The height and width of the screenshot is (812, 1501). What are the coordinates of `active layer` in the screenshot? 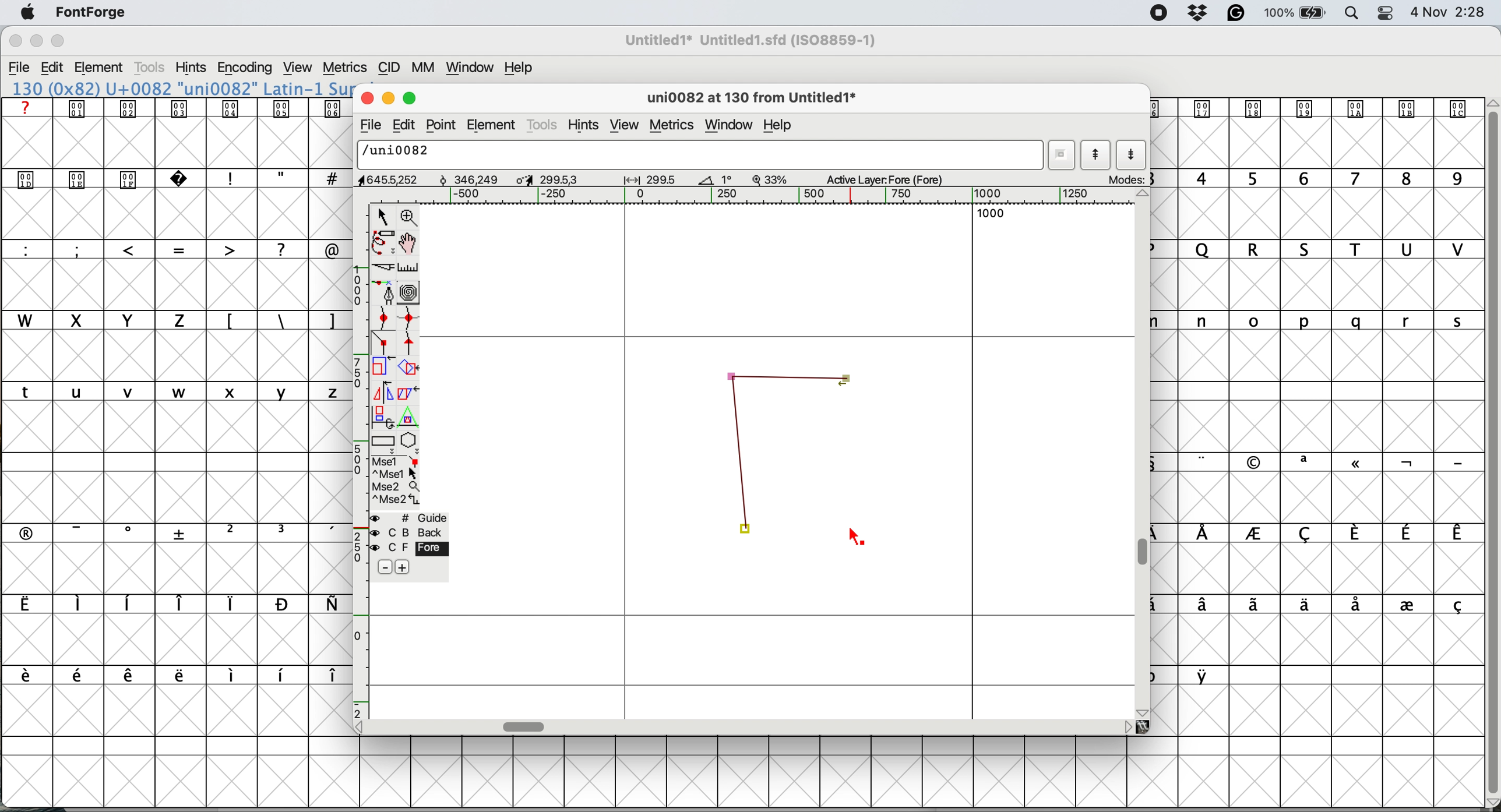 It's located at (896, 178).